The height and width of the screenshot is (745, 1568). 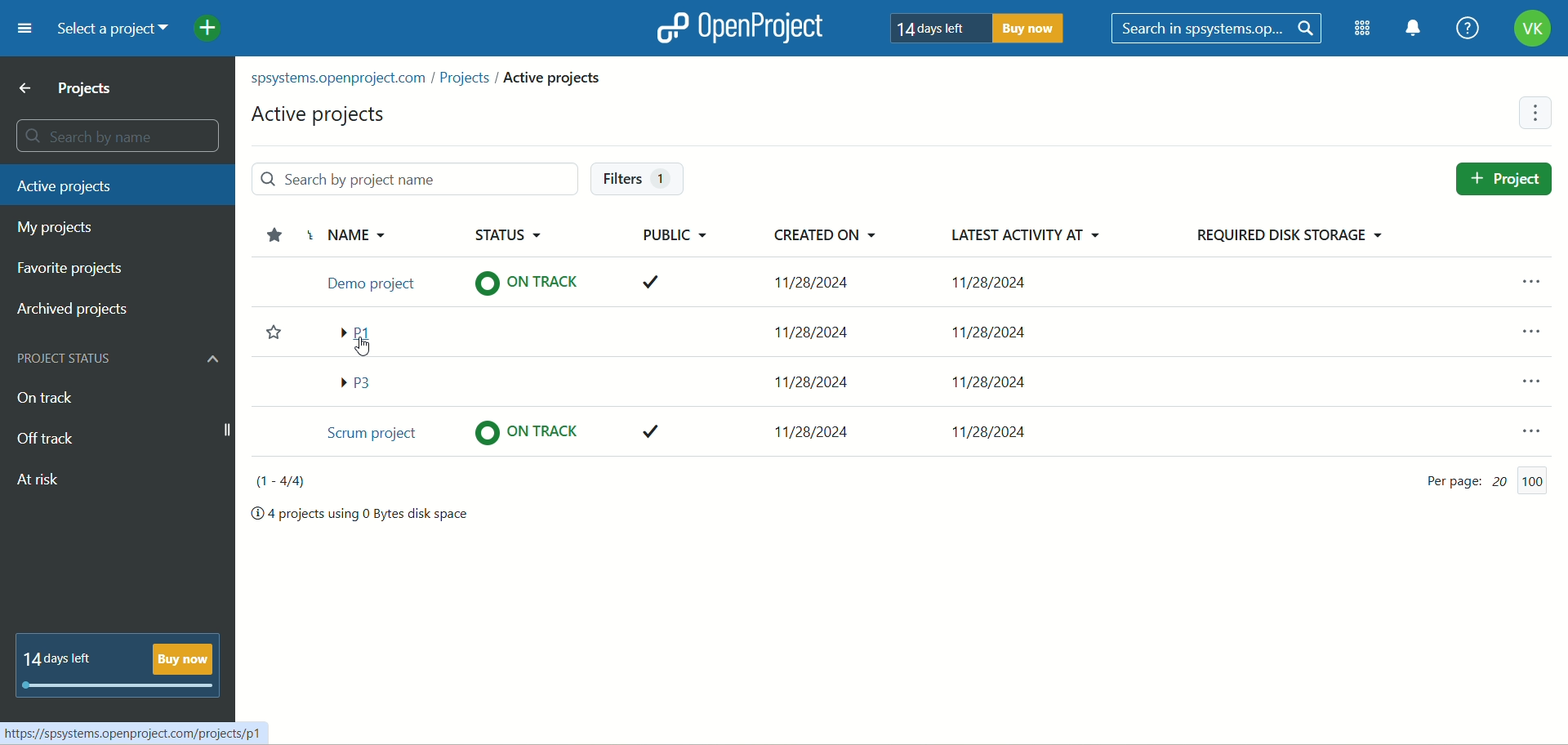 What do you see at coordinates (1296, 235) in the screenshot?
I see `disk storage` at bounding box center [1296, 235].